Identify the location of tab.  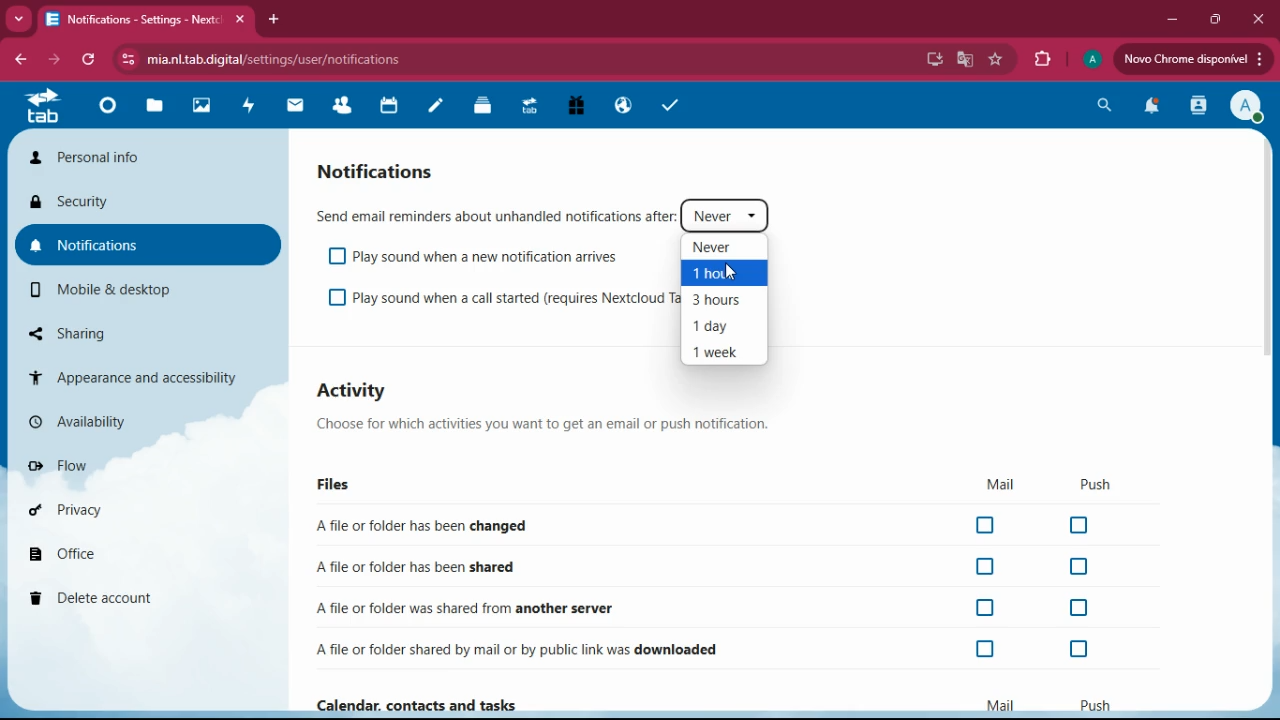
(42, 106).